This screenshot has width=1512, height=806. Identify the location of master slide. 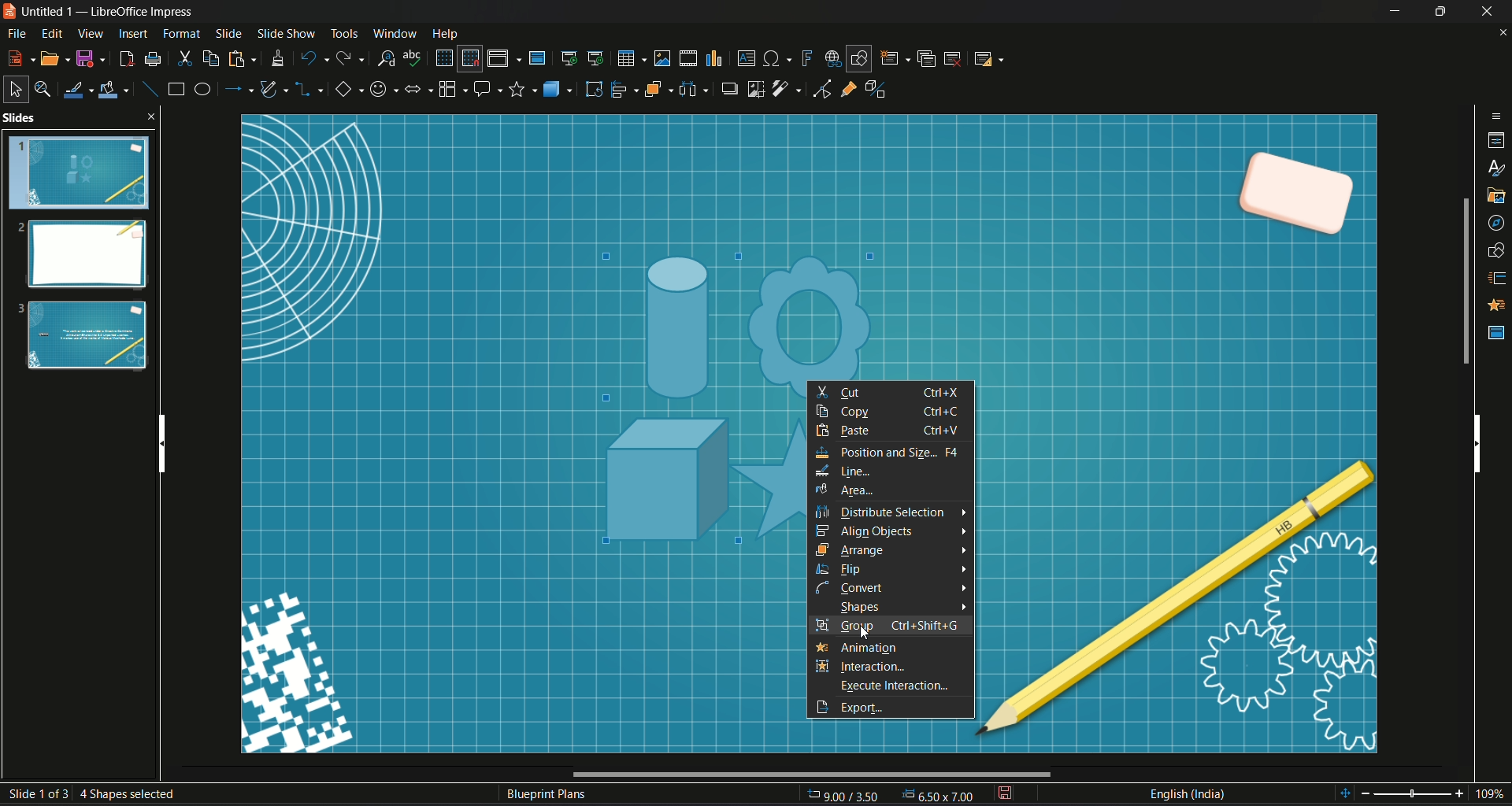
(536, 57).